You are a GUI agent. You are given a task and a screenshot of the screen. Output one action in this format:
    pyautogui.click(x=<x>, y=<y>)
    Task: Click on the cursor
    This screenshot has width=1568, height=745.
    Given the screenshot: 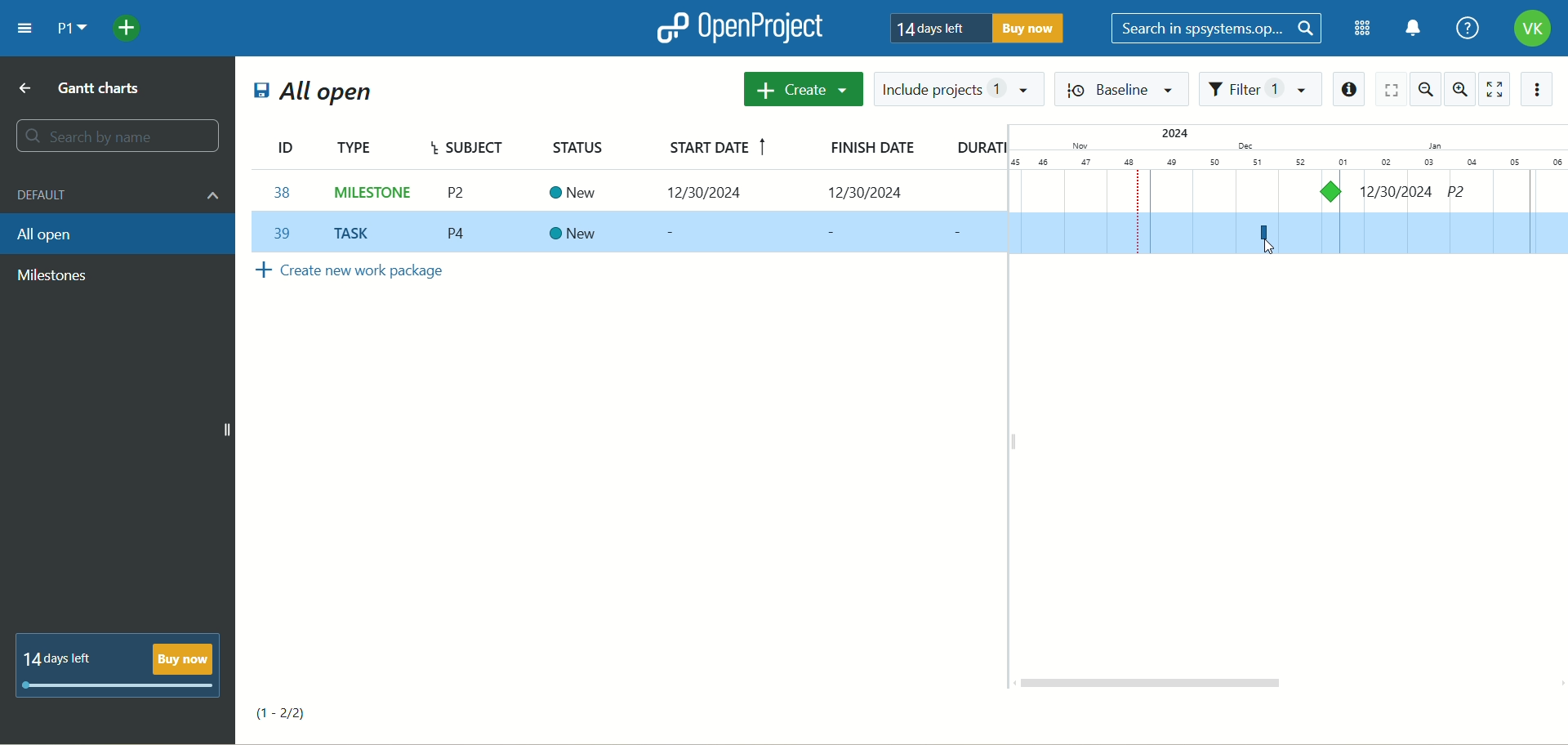 What is the action you would take?
    pyautogui.click(x=1266, y=248)
    